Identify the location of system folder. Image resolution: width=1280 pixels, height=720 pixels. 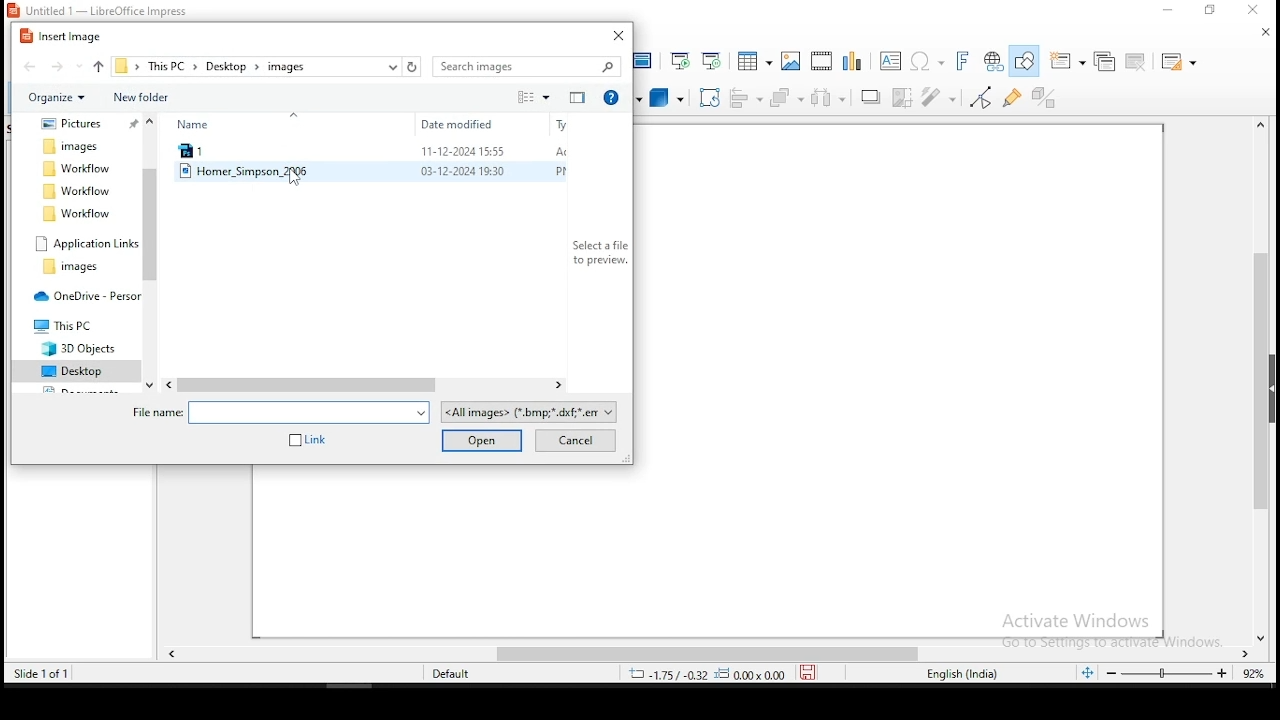
(82, 294).